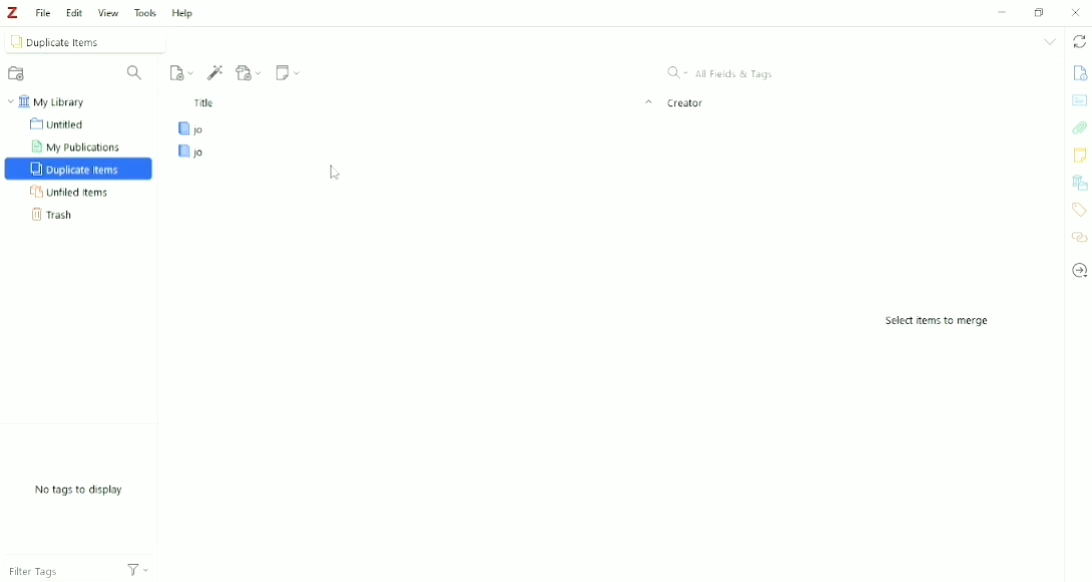 The height and width of the screenshot is (582, 1092). What do you see at coordinates (181, 73) in the screenshot?
I see `New Item` at bounding box center [181, 73].